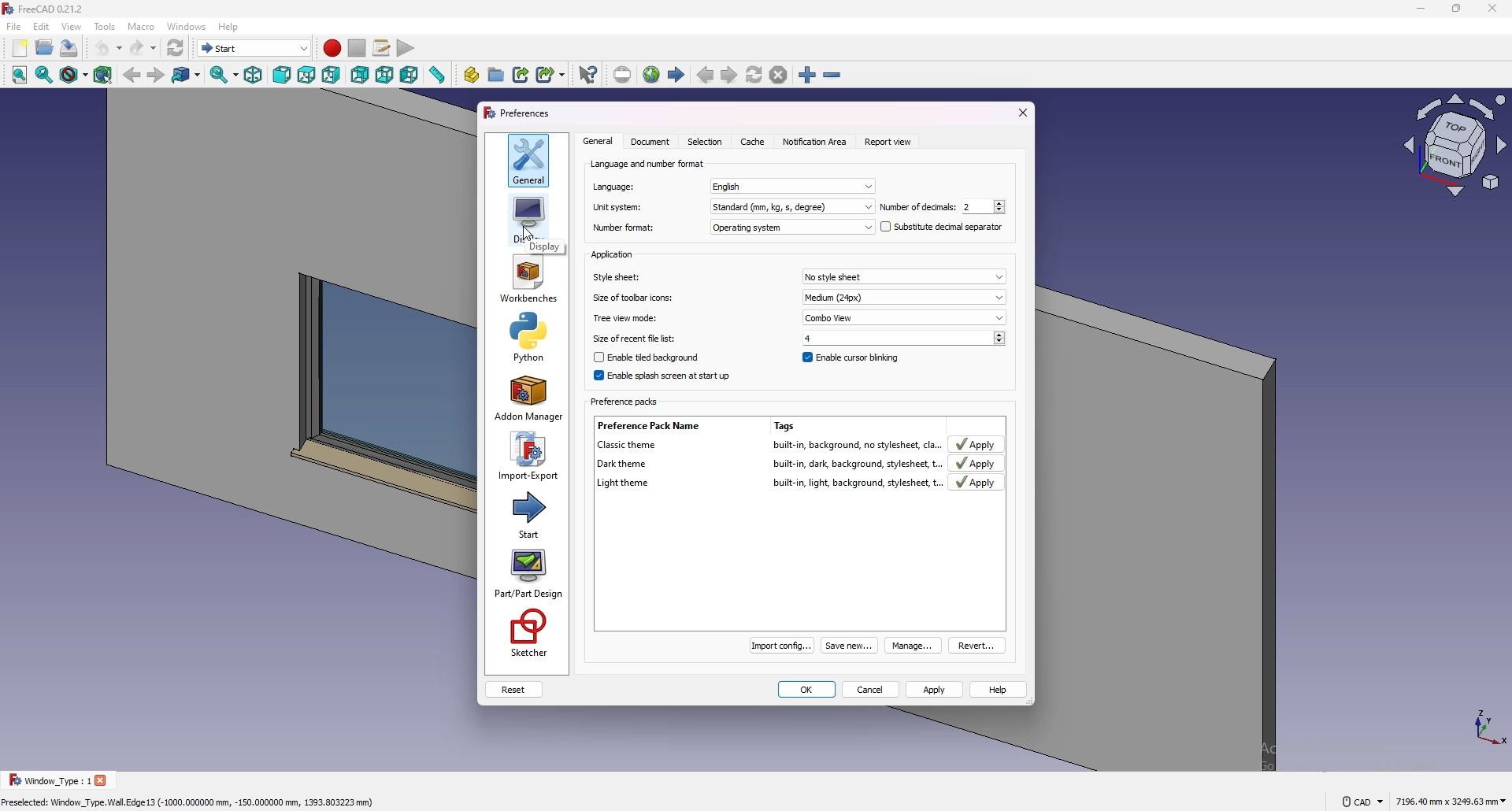 The height and width of the screenshot is (811, 1512). I want to click on apply, so click(976, 480).